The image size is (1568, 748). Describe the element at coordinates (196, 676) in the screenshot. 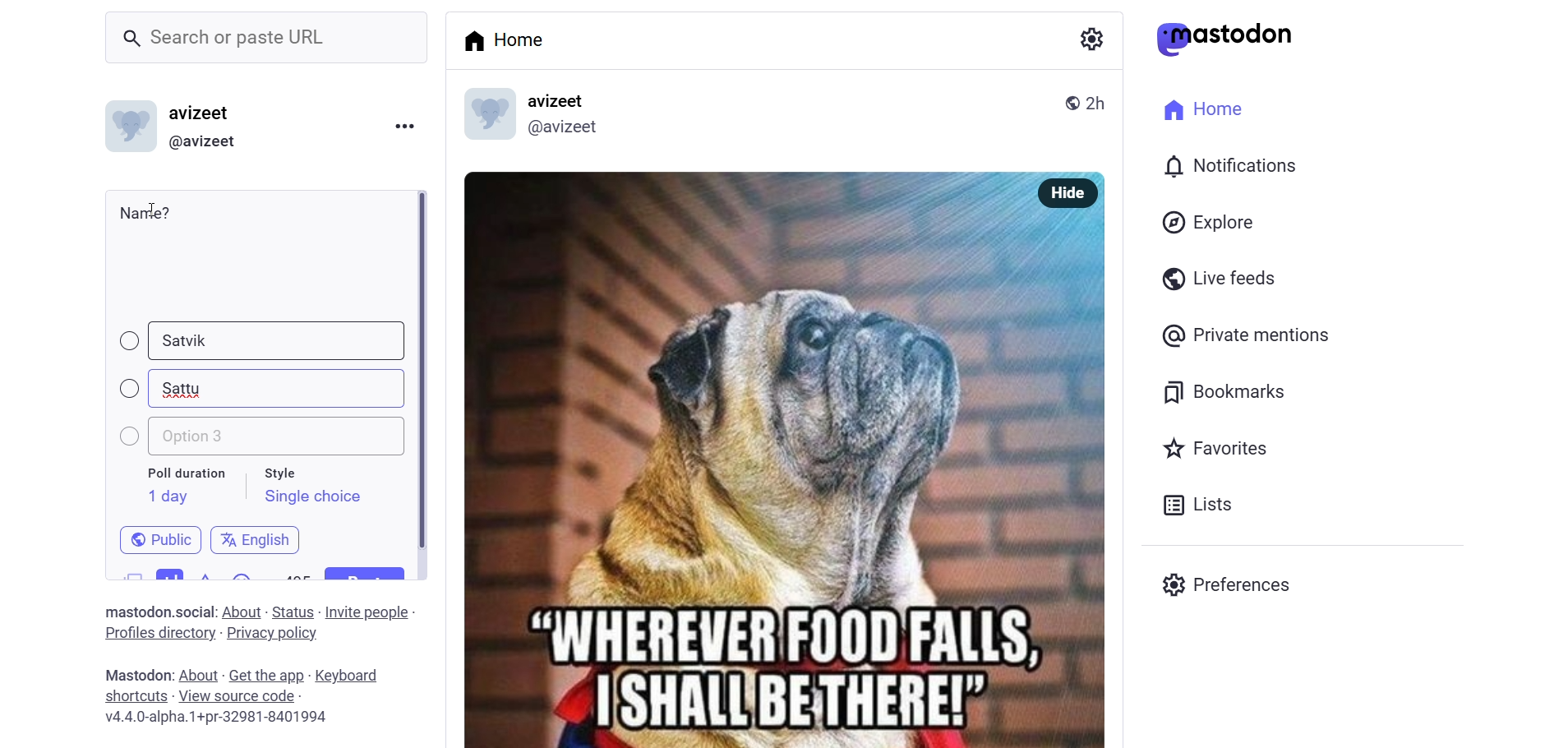

I see `about` at that location.